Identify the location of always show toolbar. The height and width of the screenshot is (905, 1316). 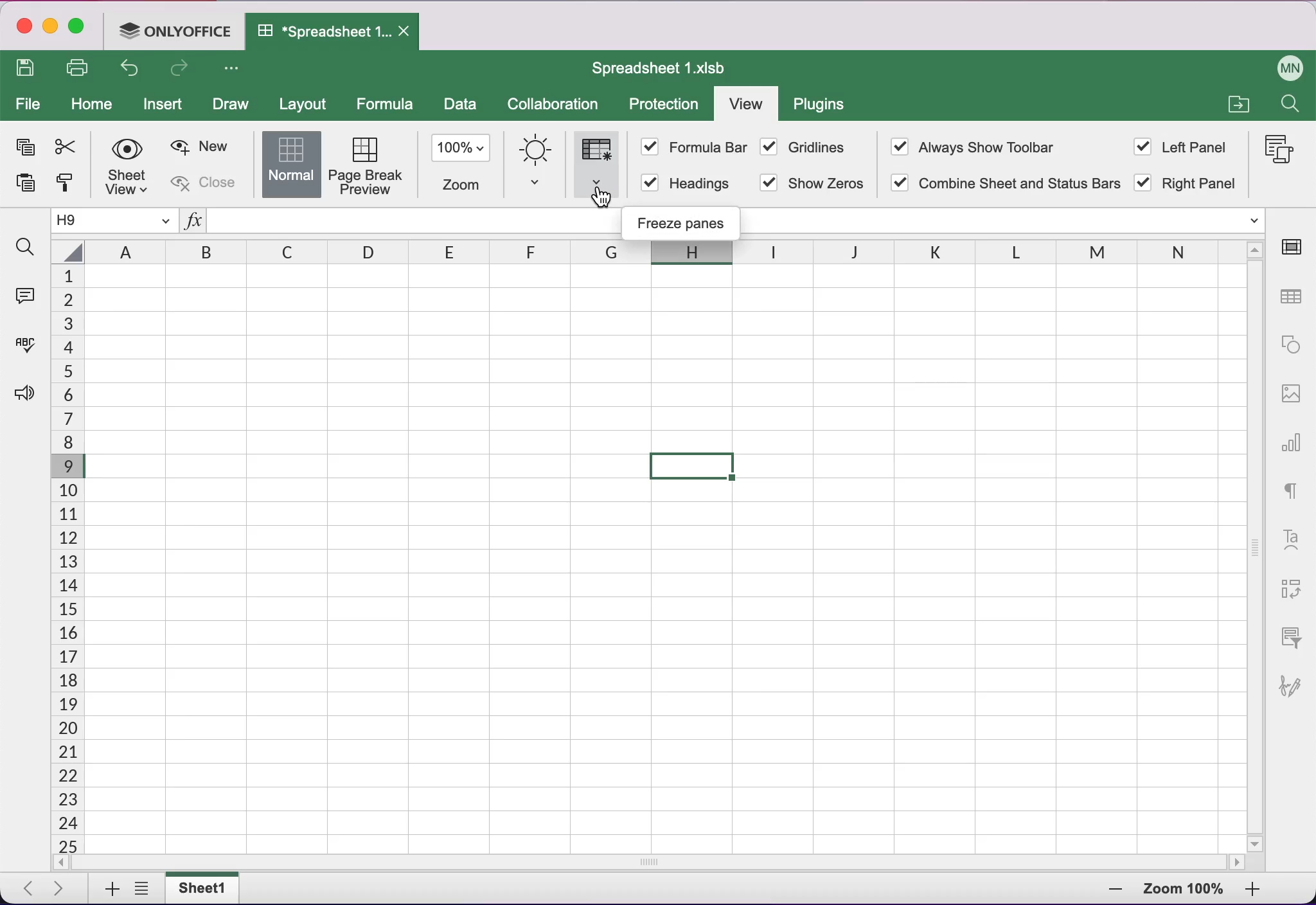
(984, 148).